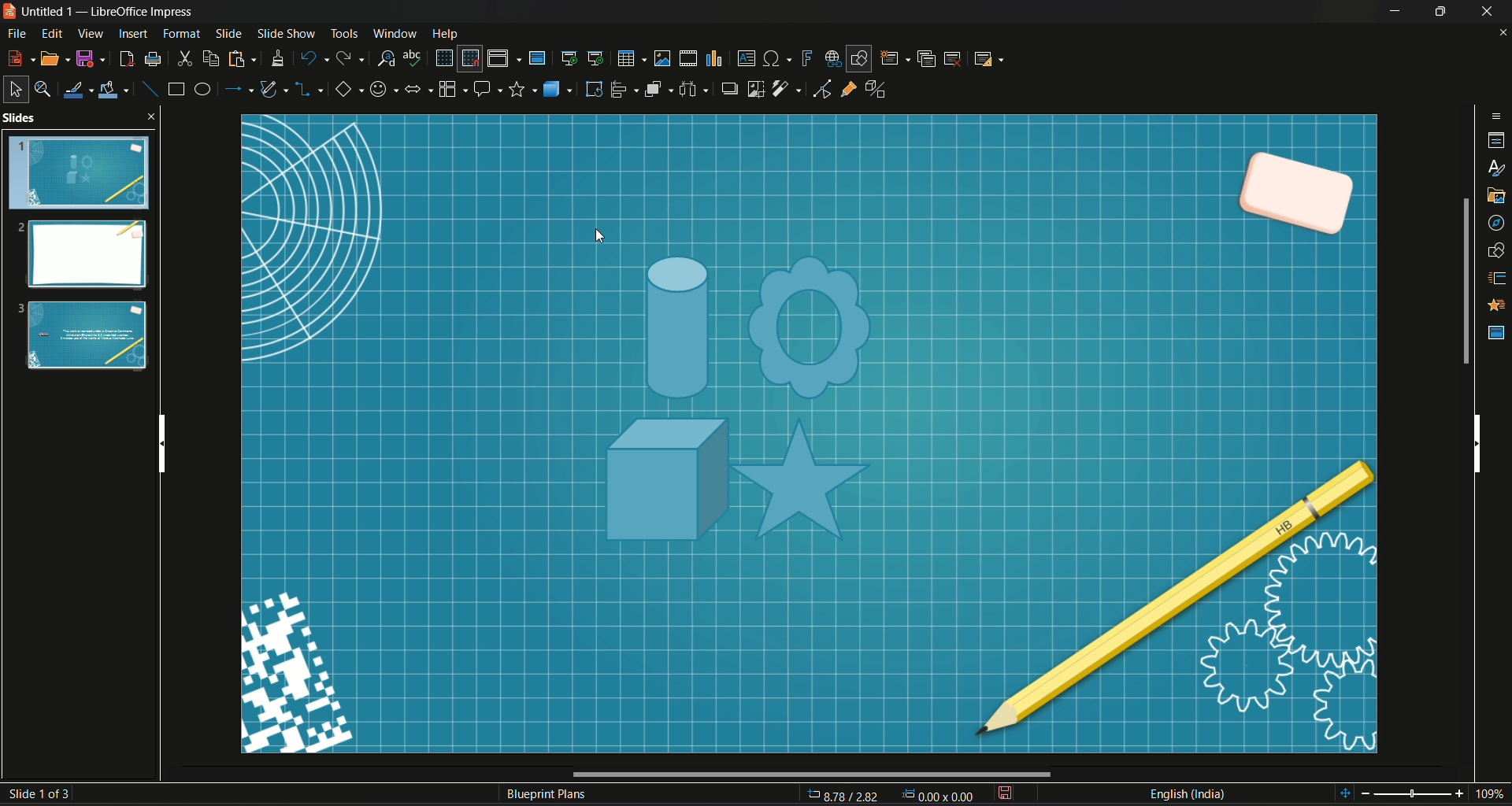  Describe the element at coordinates (56, 58) in the screenshot. I see `open` at that location.